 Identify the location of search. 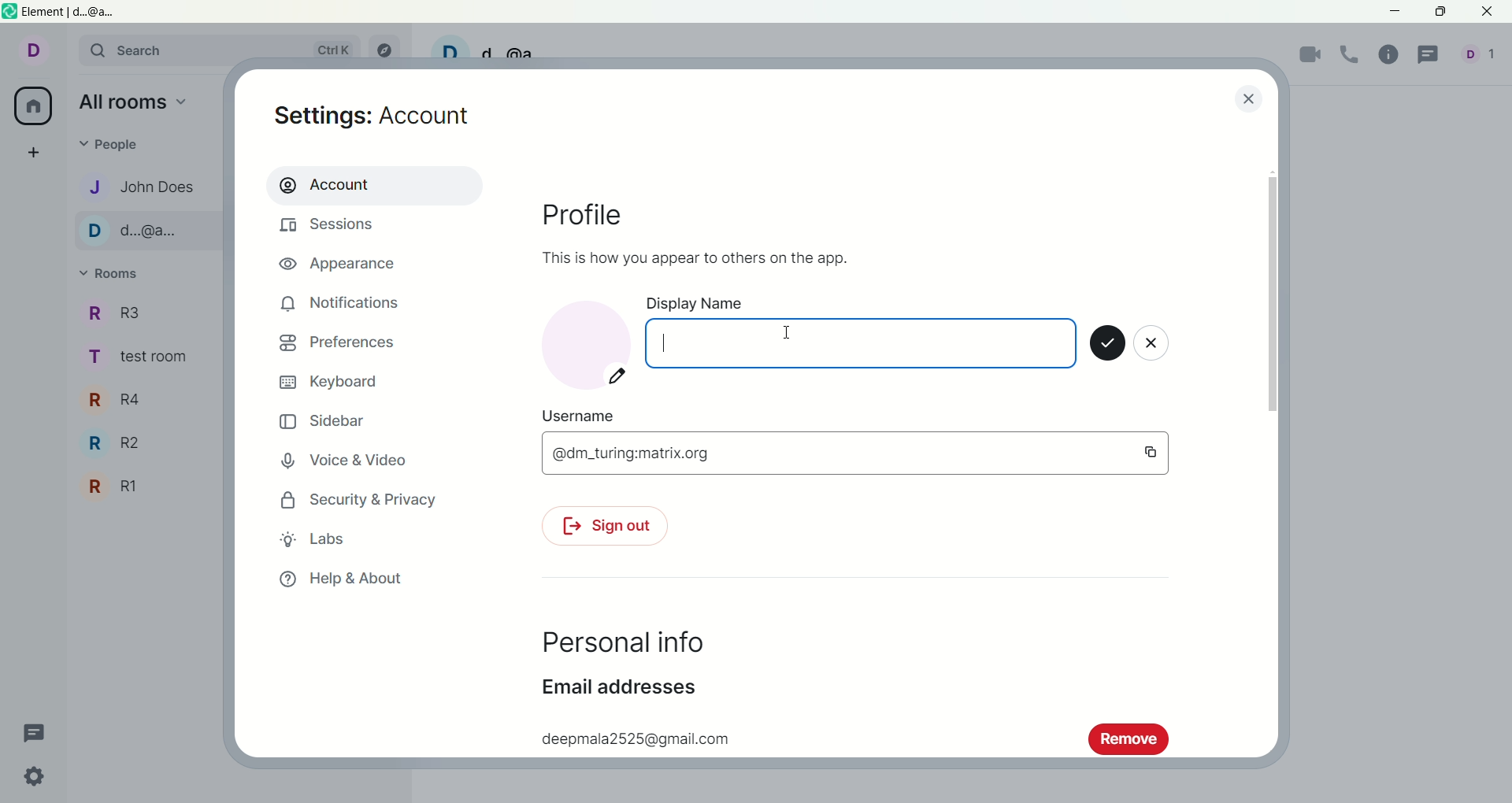
(226, 51).